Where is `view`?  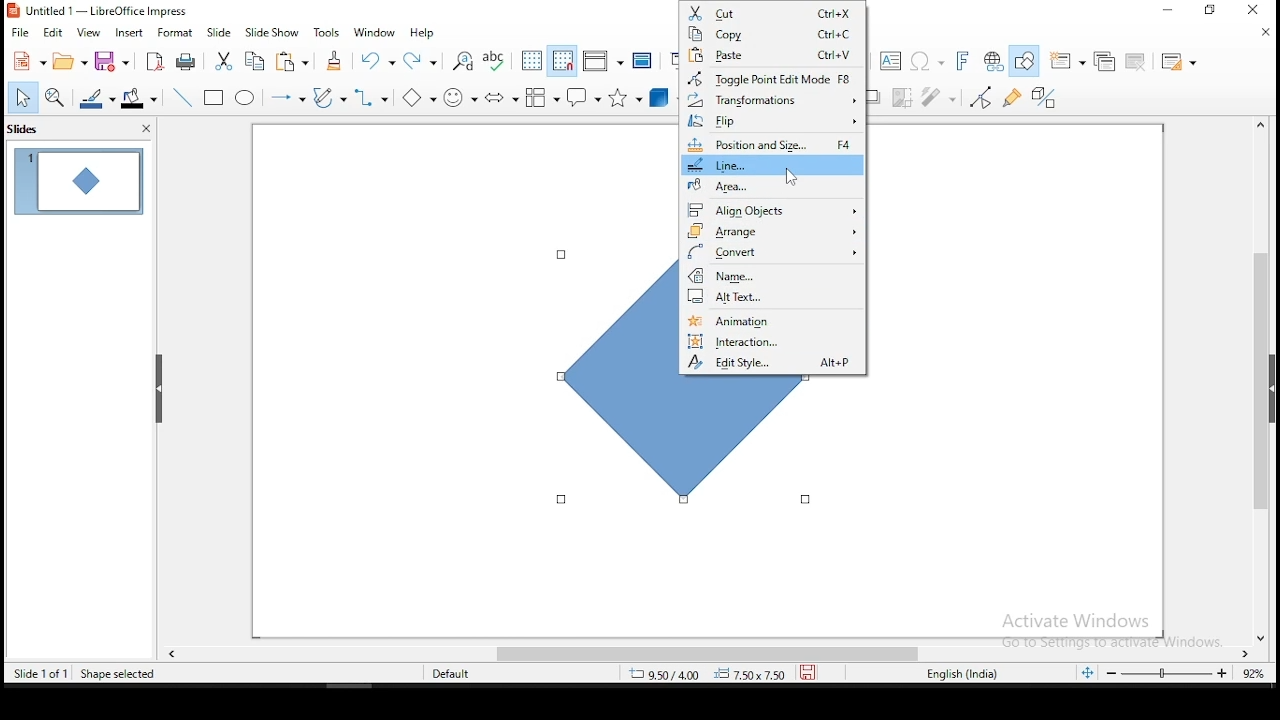
view is located at coordinates (87, 32).